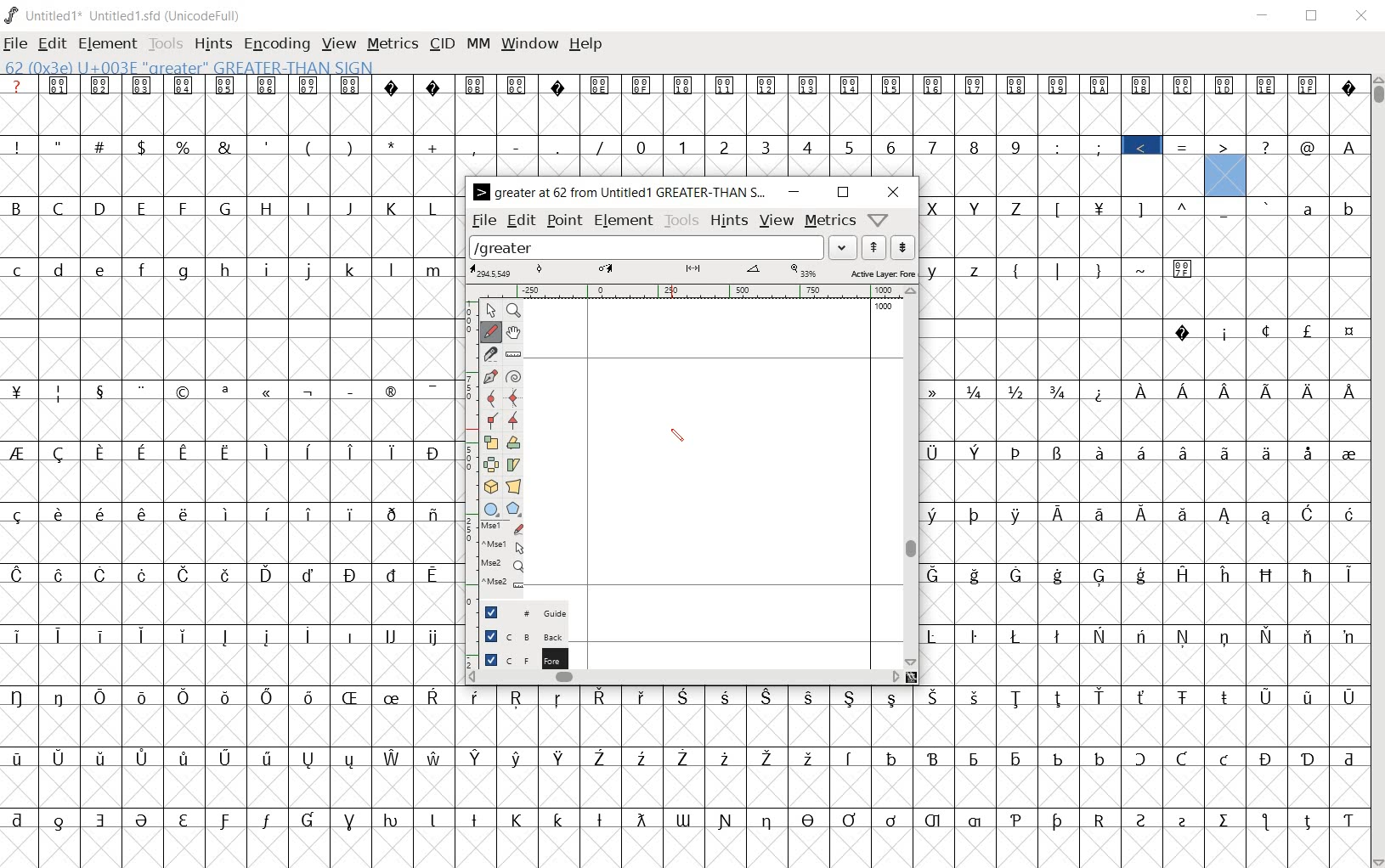 This screenshot has height=868, width=1385. Describe the element at coordinates (911, 477) in the screenshot. I see `scrollbar` at that location.